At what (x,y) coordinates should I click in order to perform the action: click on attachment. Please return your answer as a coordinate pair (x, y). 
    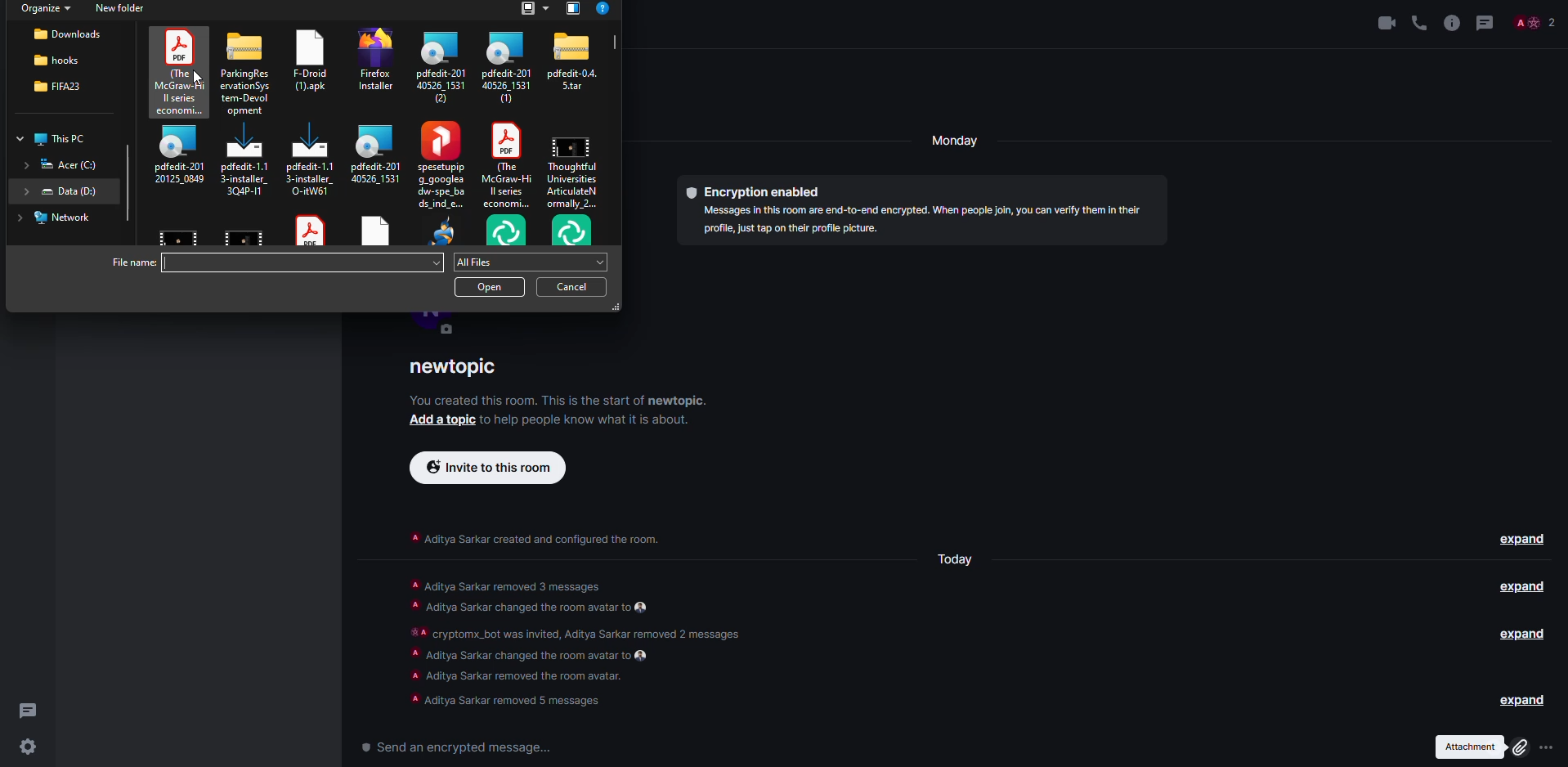
    Looking at the image, I should click on (1467, 748).